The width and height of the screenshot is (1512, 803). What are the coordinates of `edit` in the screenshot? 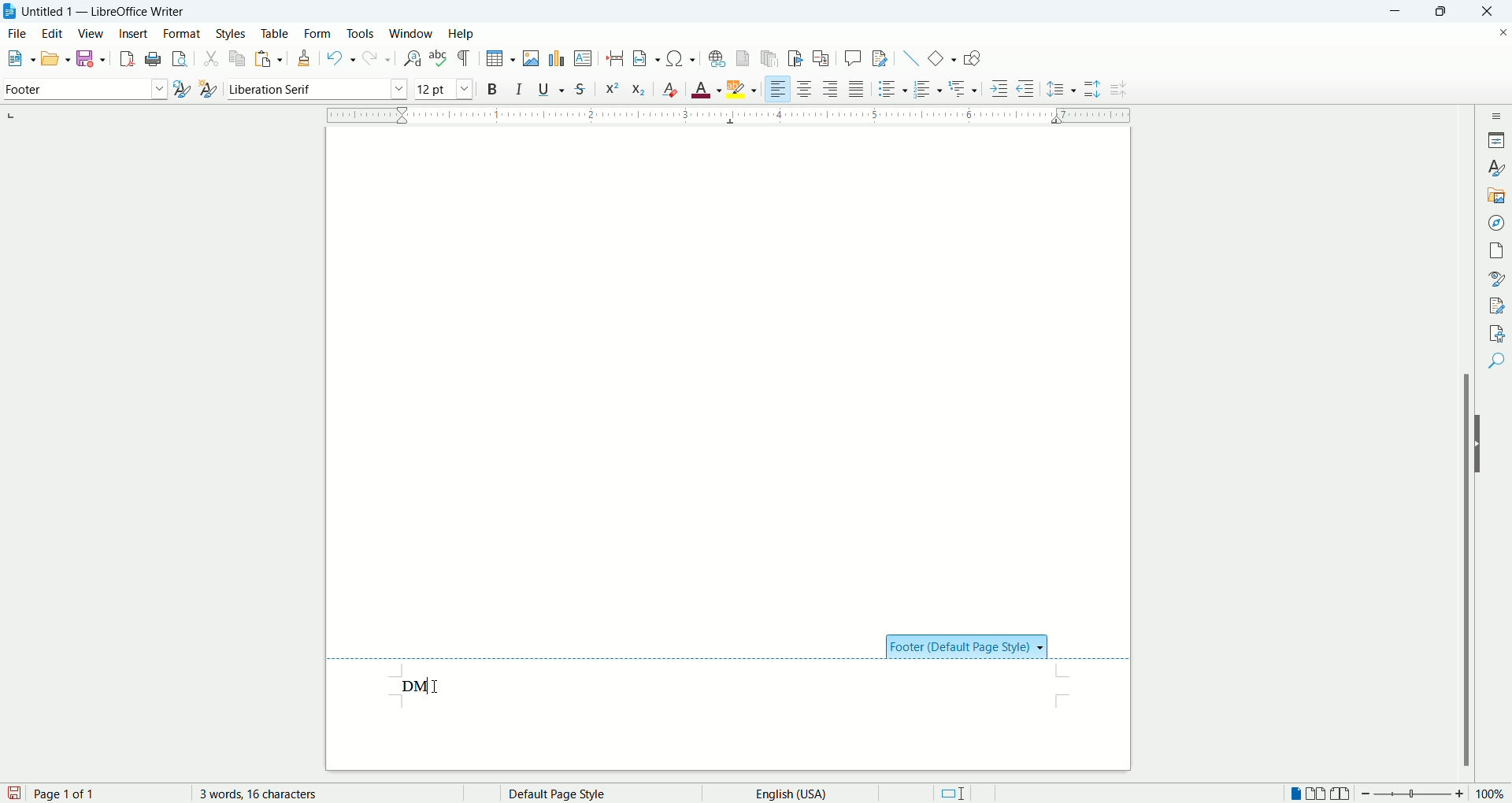 It's located at (55, 33).